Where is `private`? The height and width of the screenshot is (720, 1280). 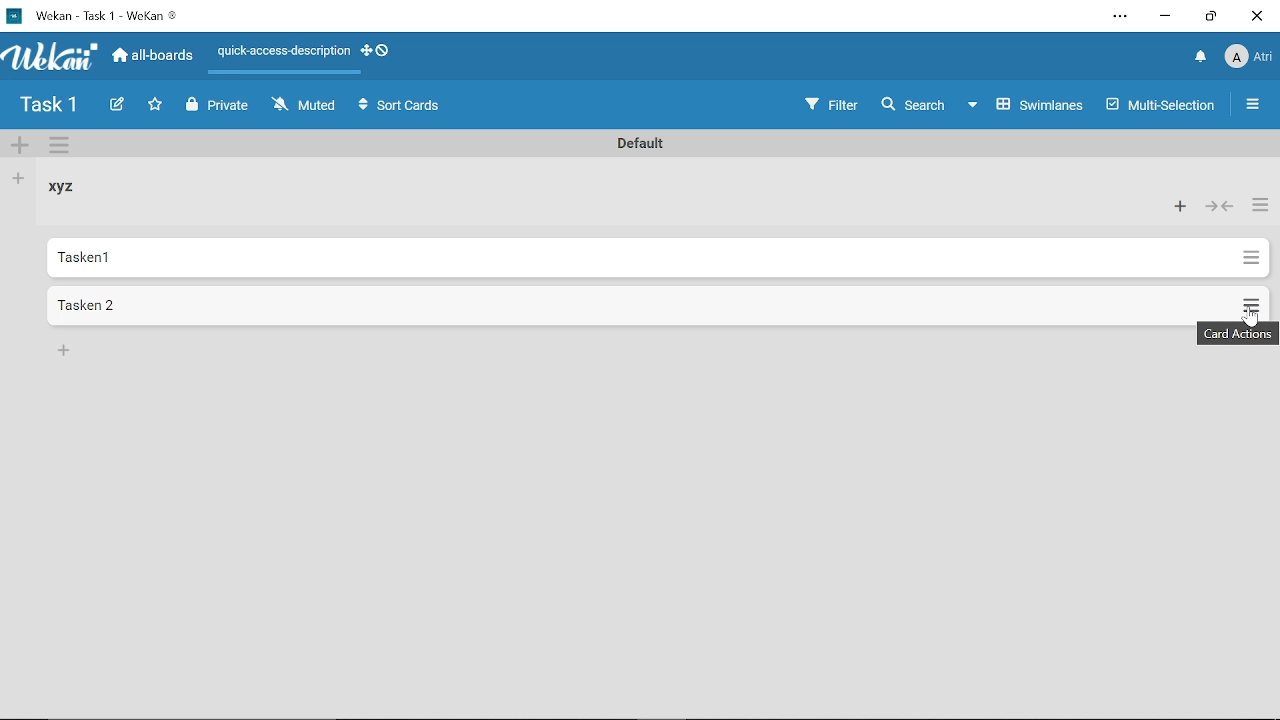 private is located at coordinates (222, 107).